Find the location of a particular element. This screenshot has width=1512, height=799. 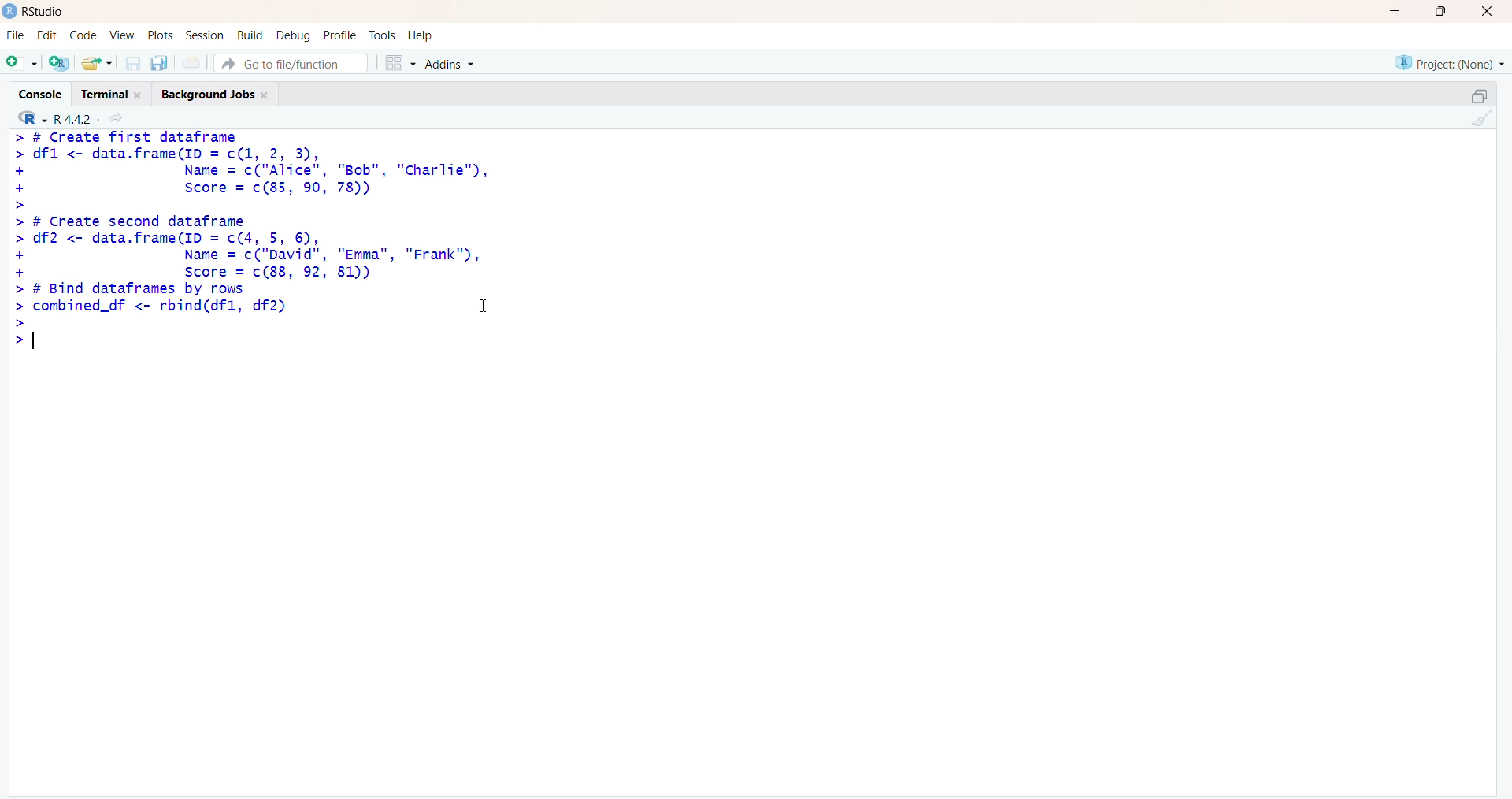

Terminal is located at coordinates (112, 93).